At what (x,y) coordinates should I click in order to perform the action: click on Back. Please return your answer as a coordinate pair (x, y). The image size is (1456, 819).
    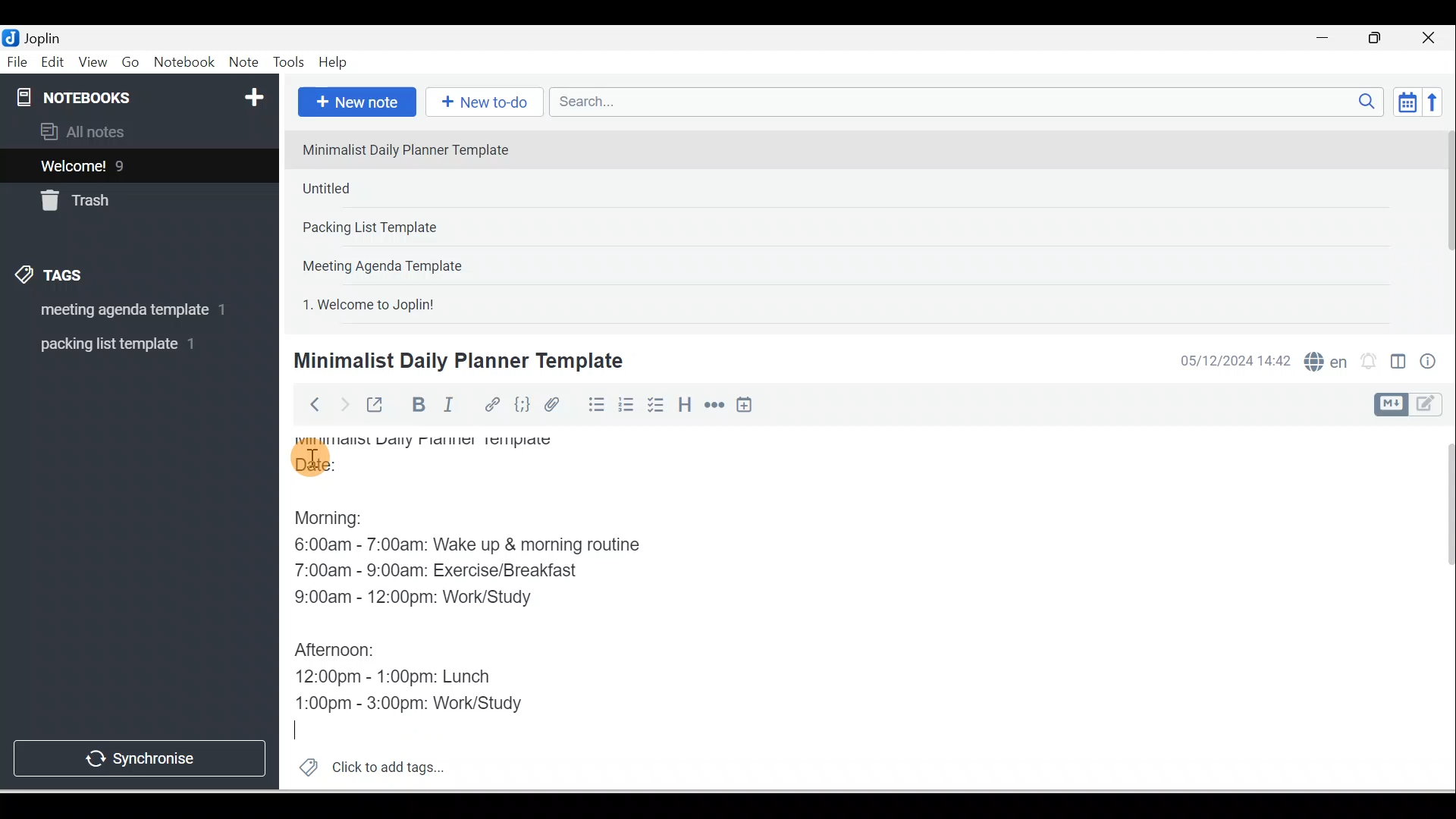
    Looking at the image, I should click on (308, 404).